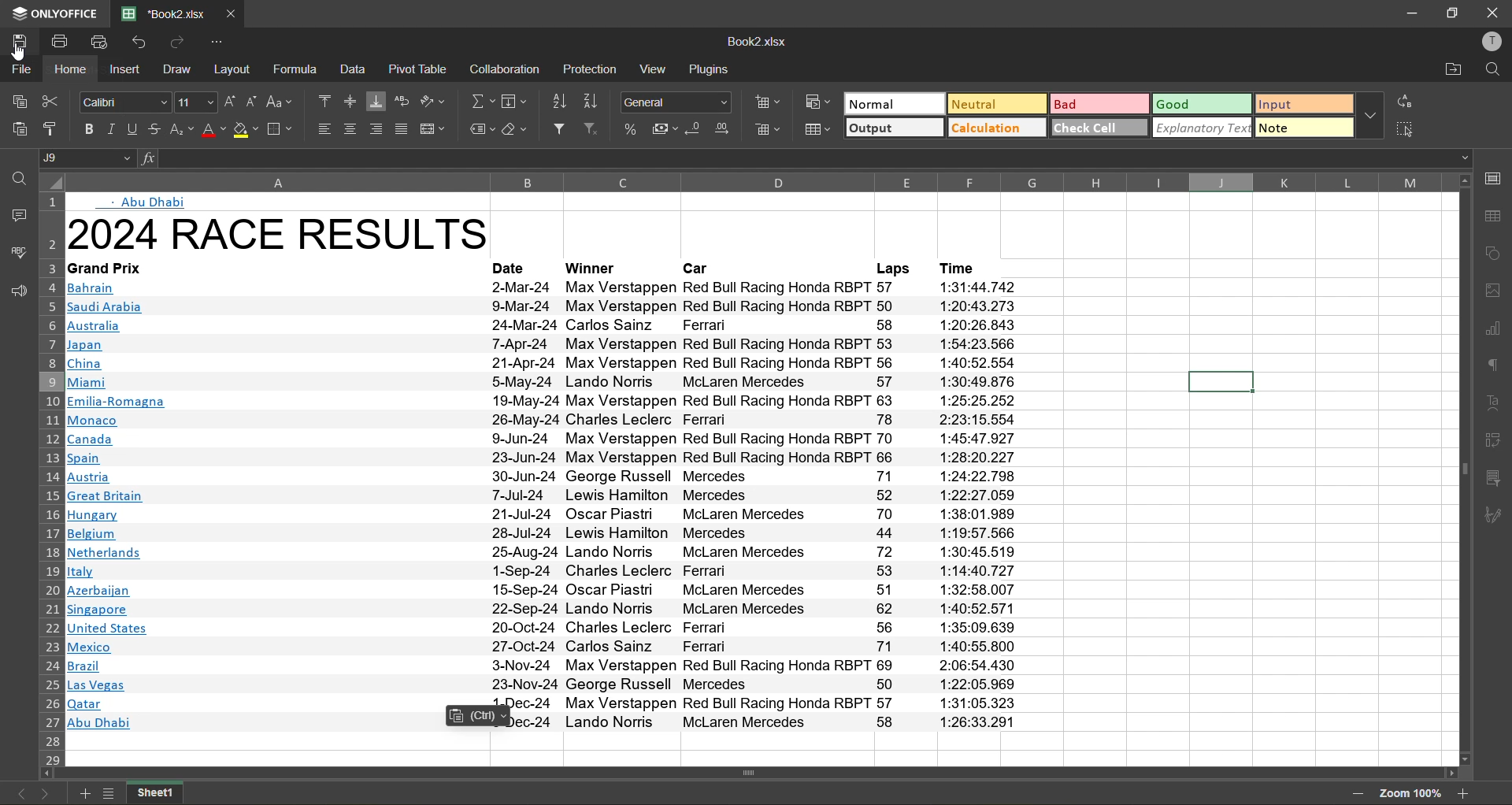  What do you see at coordinates (159, 13) in the screenshot?
I see `filename` at bounding box center [159, 13].